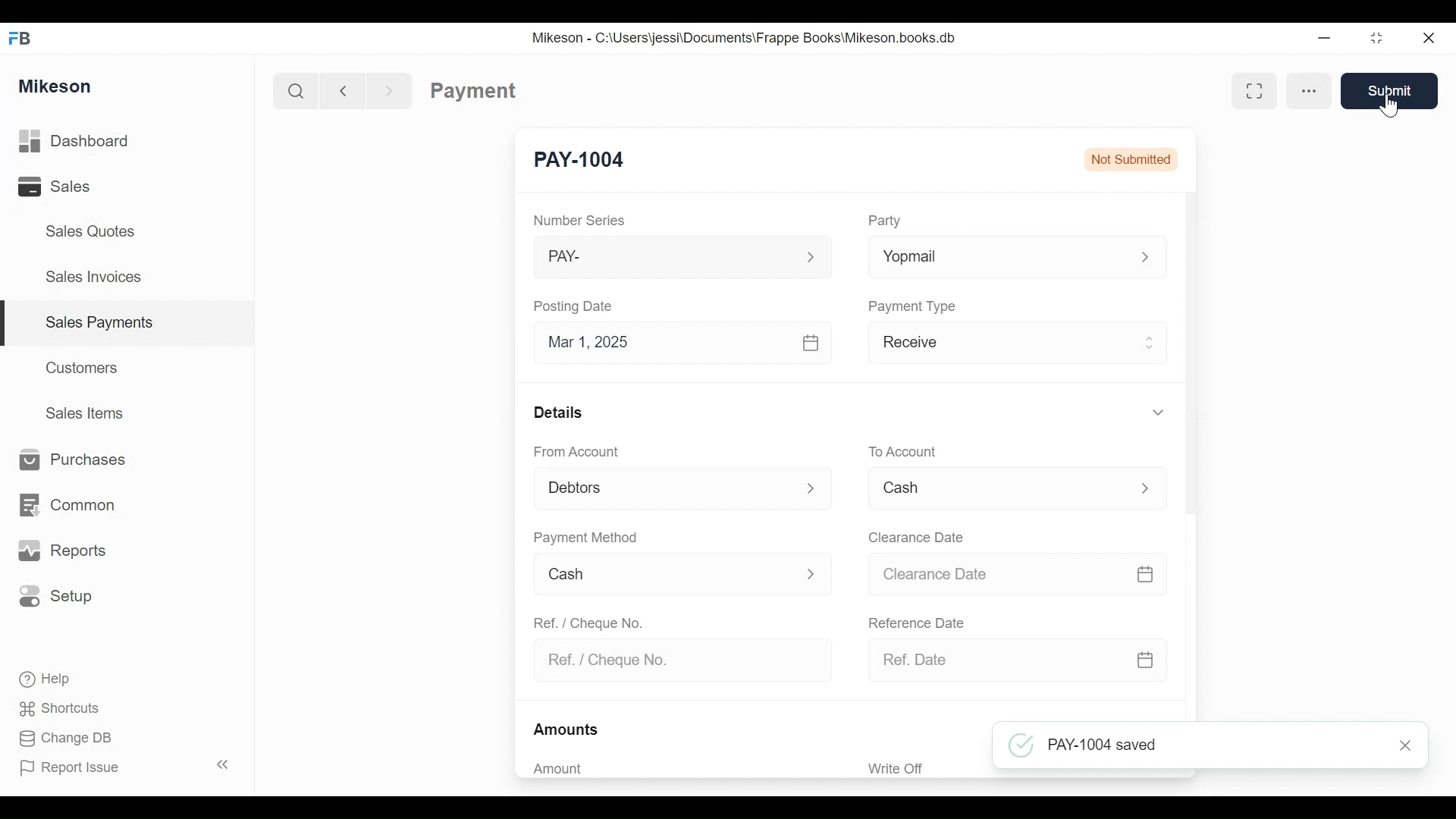  I want to click on Ref. Date, so click(1018, 657).